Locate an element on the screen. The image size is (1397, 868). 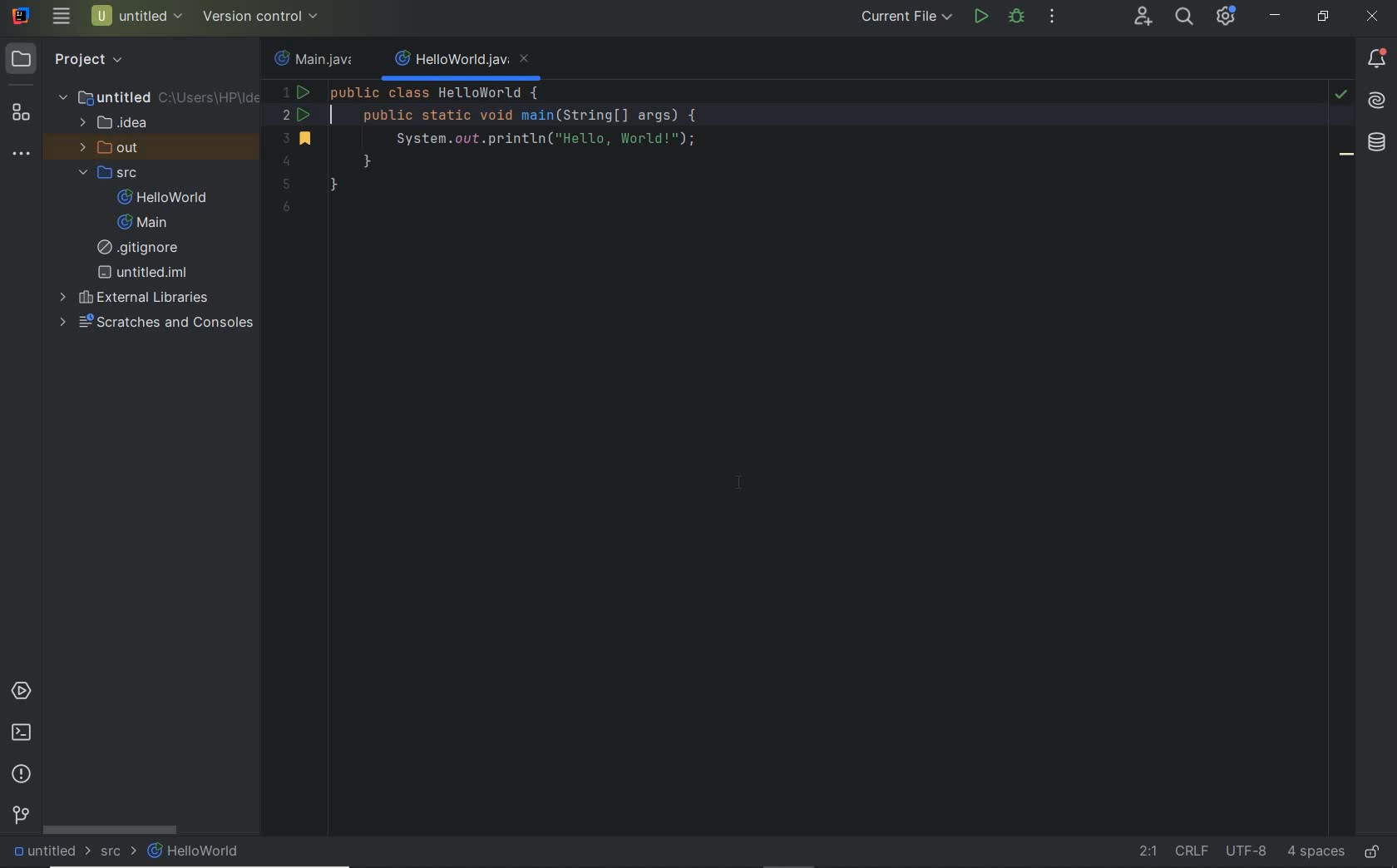
src is located at coordinates (119, 851).